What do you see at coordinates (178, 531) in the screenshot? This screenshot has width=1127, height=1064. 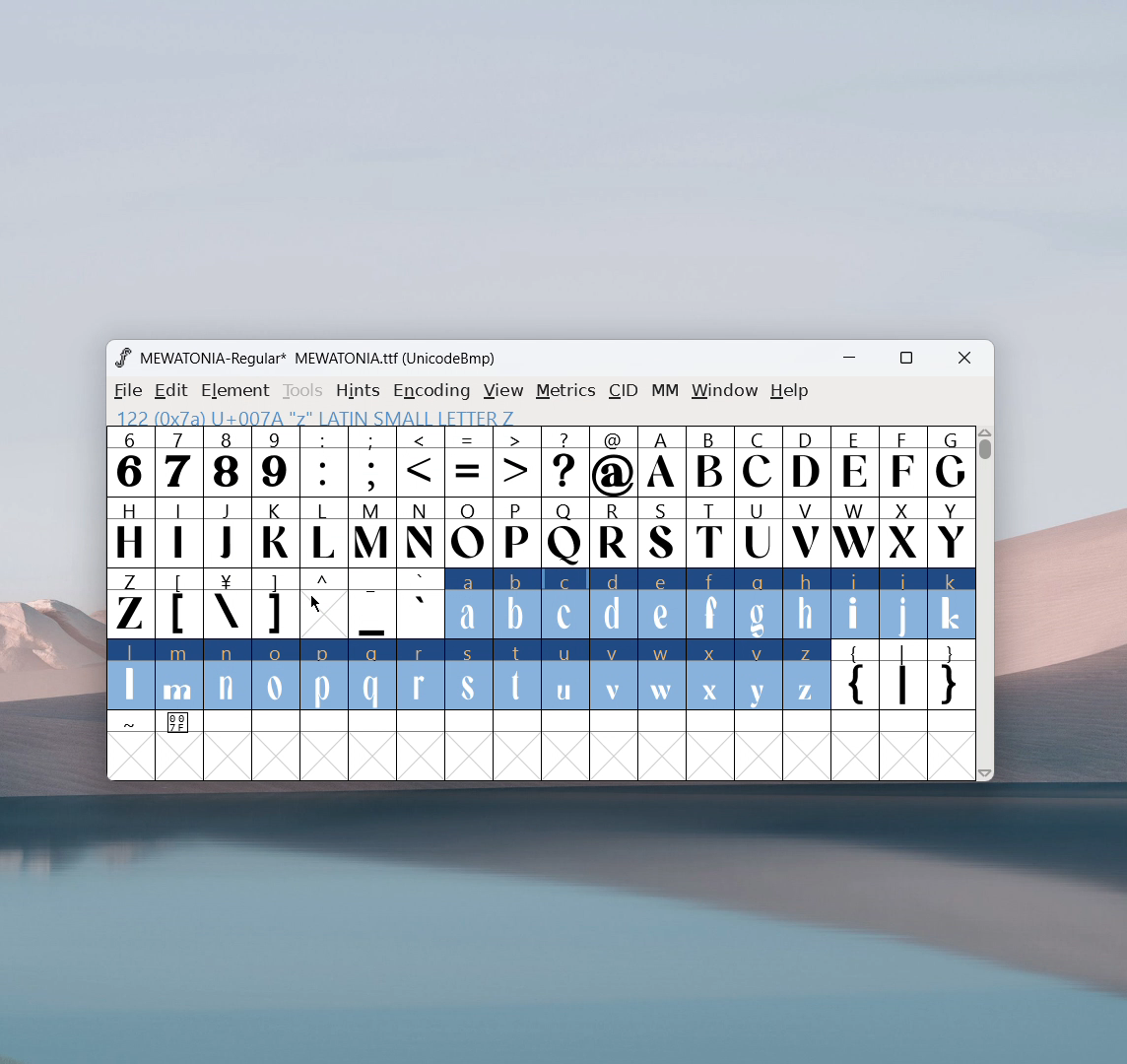 I see `I` at bounding box center [178, 531].